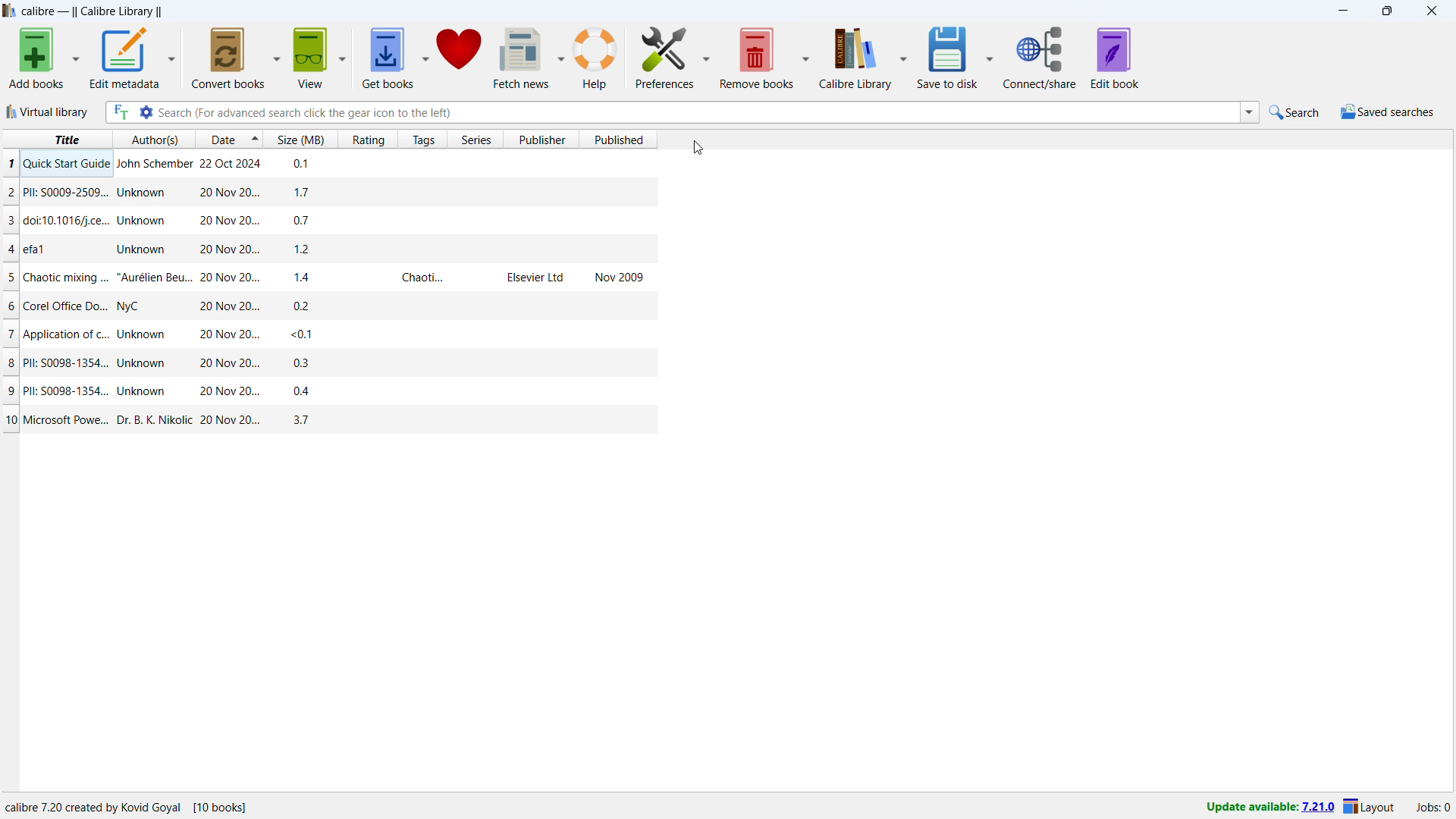  Describe the element at coordinates (1250, 111) in the screenshot. I see `search history` at that location.